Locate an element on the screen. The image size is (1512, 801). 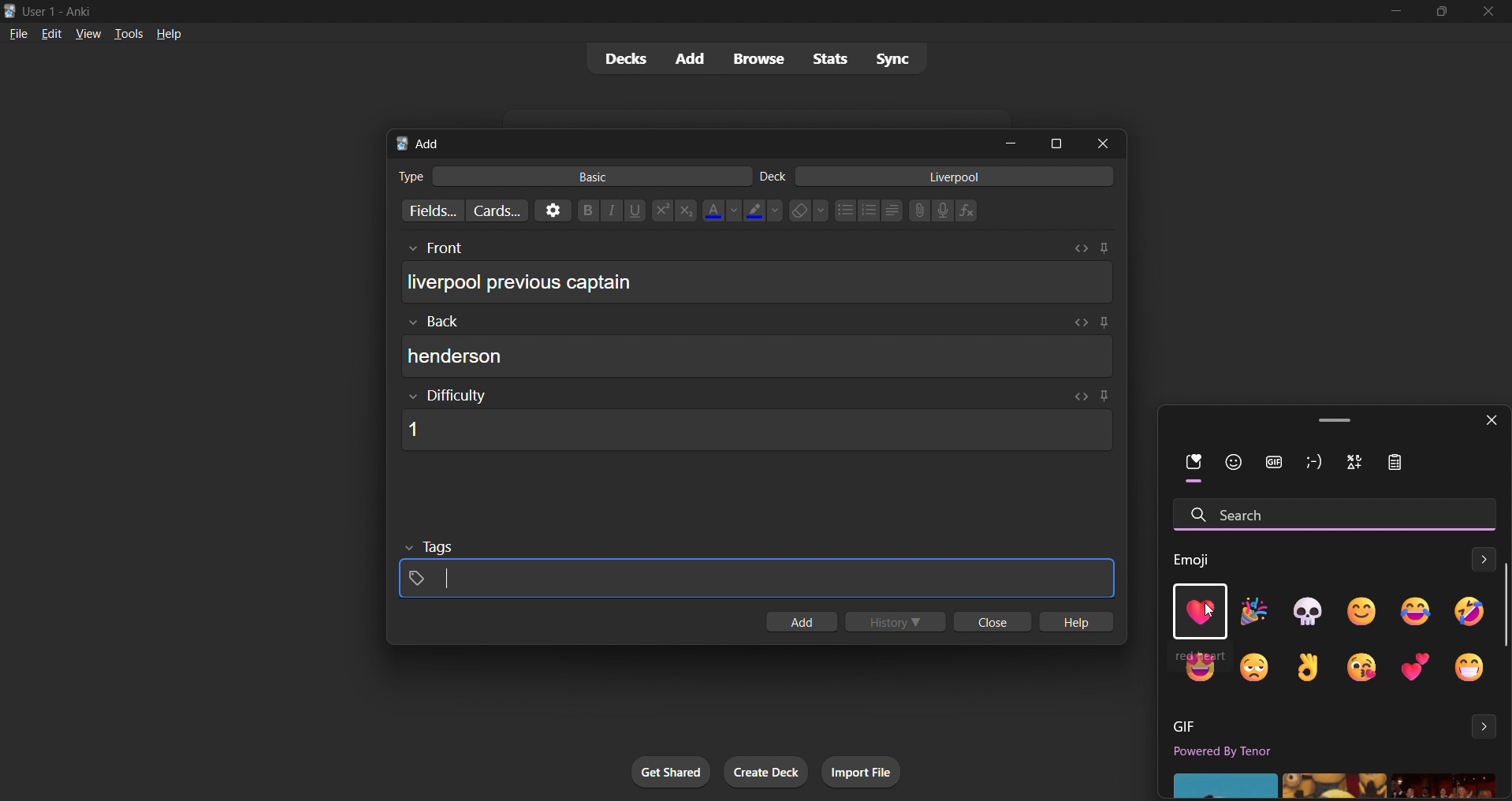
icon  is located at coordinates (1399, 464).